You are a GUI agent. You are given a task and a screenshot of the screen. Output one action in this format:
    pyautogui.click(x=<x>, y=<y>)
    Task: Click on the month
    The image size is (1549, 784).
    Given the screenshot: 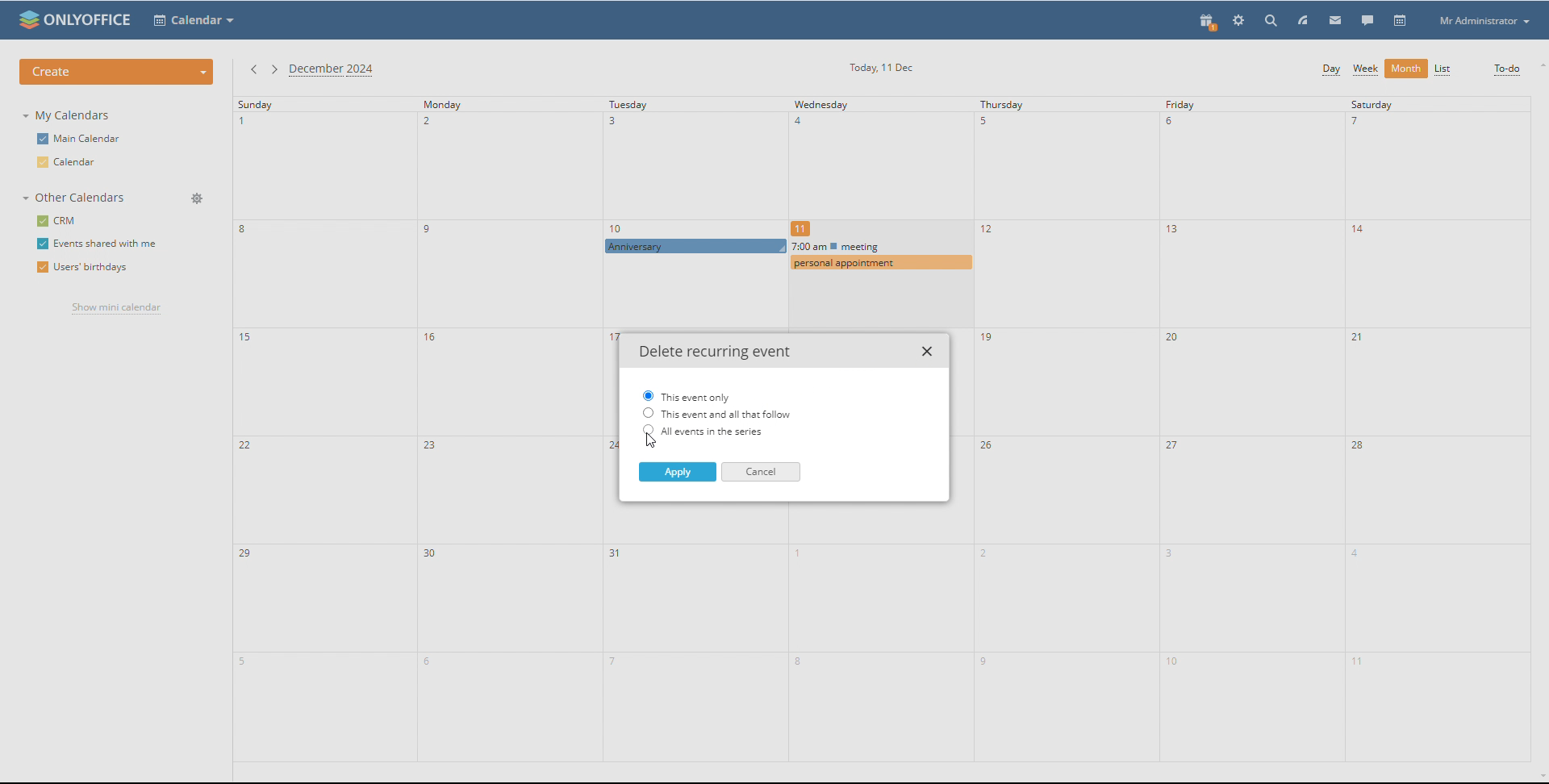 What is the action you would take?
    pyautogui.click(x=1405, y=69)
    